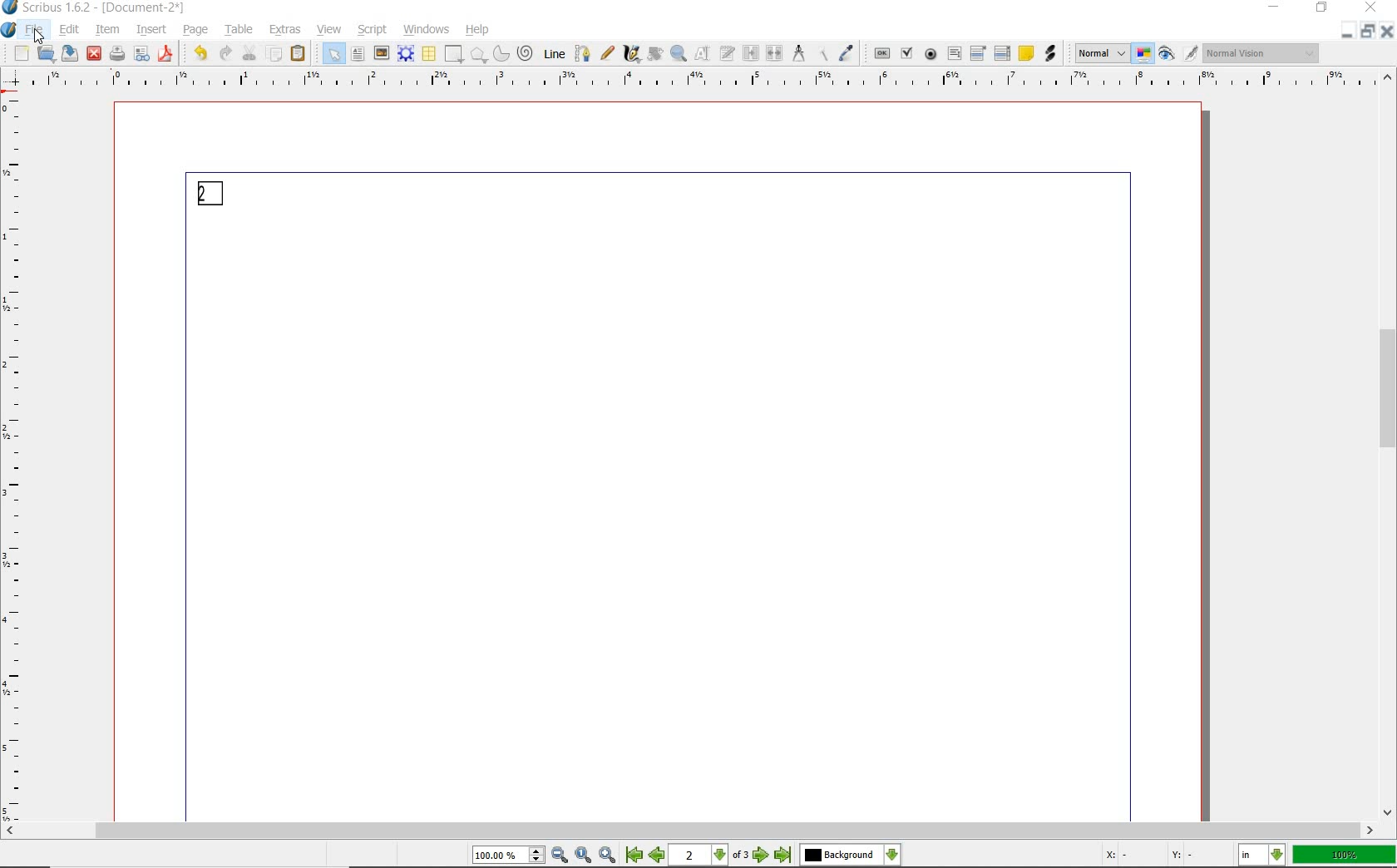 This screenshot has width=1397, height=868. What do you see at coordinates (762, 856) in the screenshot?
I see `Next Page` at bounding box center [762, 856].